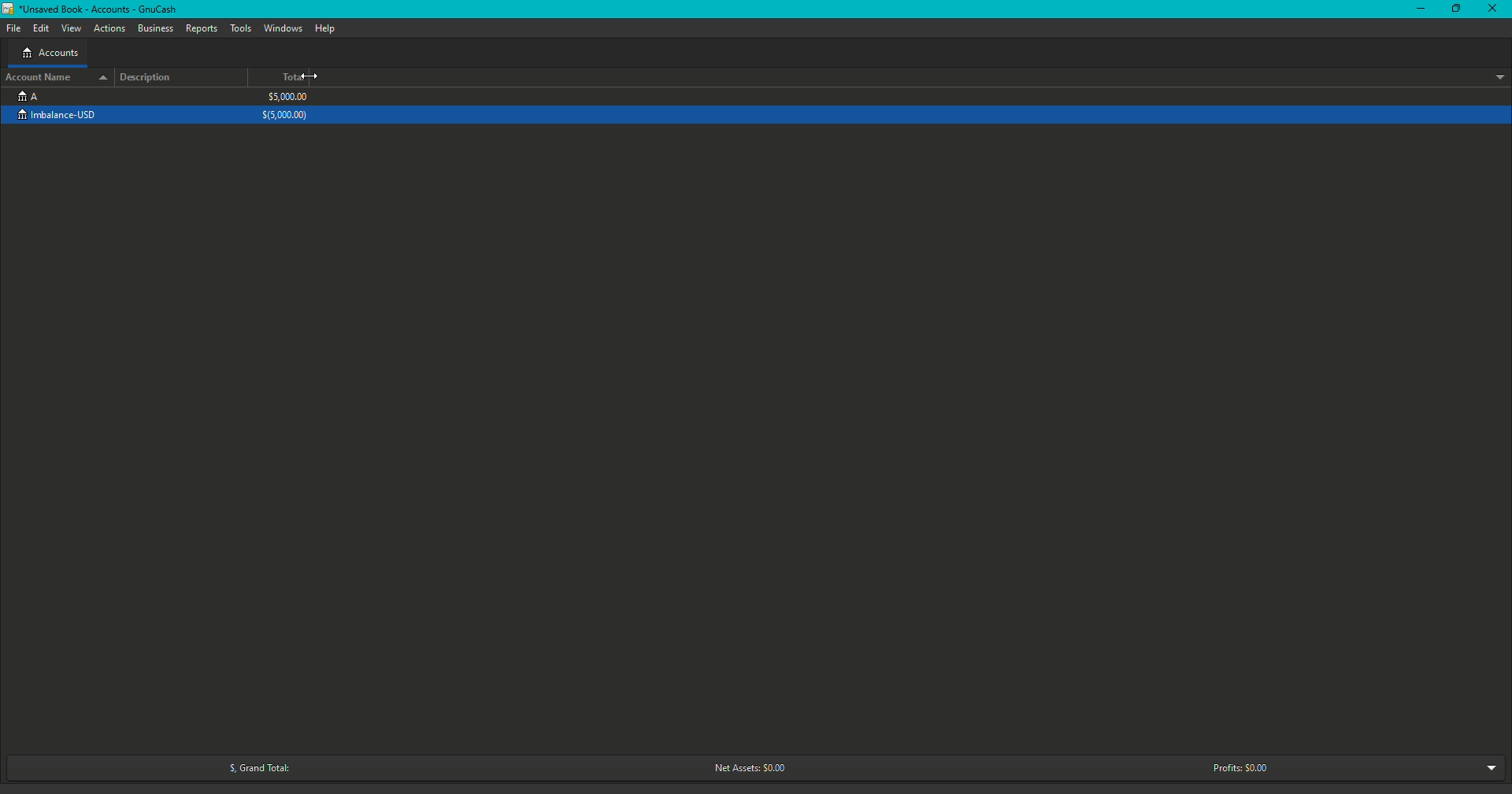 This screenshot has height=794, width=1512. I want to click on Windows, so click(283, 28).